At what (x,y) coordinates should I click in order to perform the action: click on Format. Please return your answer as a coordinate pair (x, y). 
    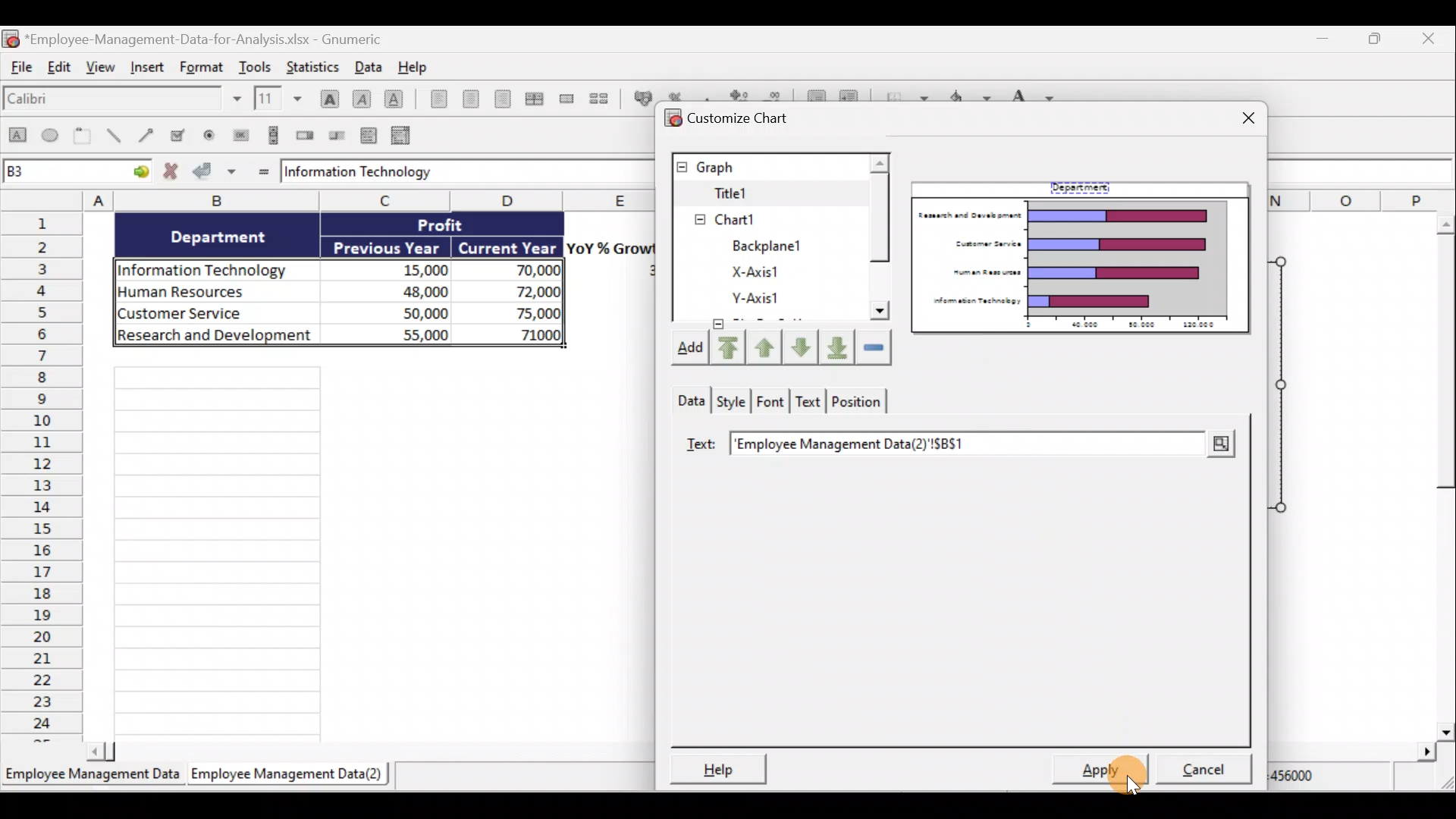
    Looking at the image, I should click on (206, 65).